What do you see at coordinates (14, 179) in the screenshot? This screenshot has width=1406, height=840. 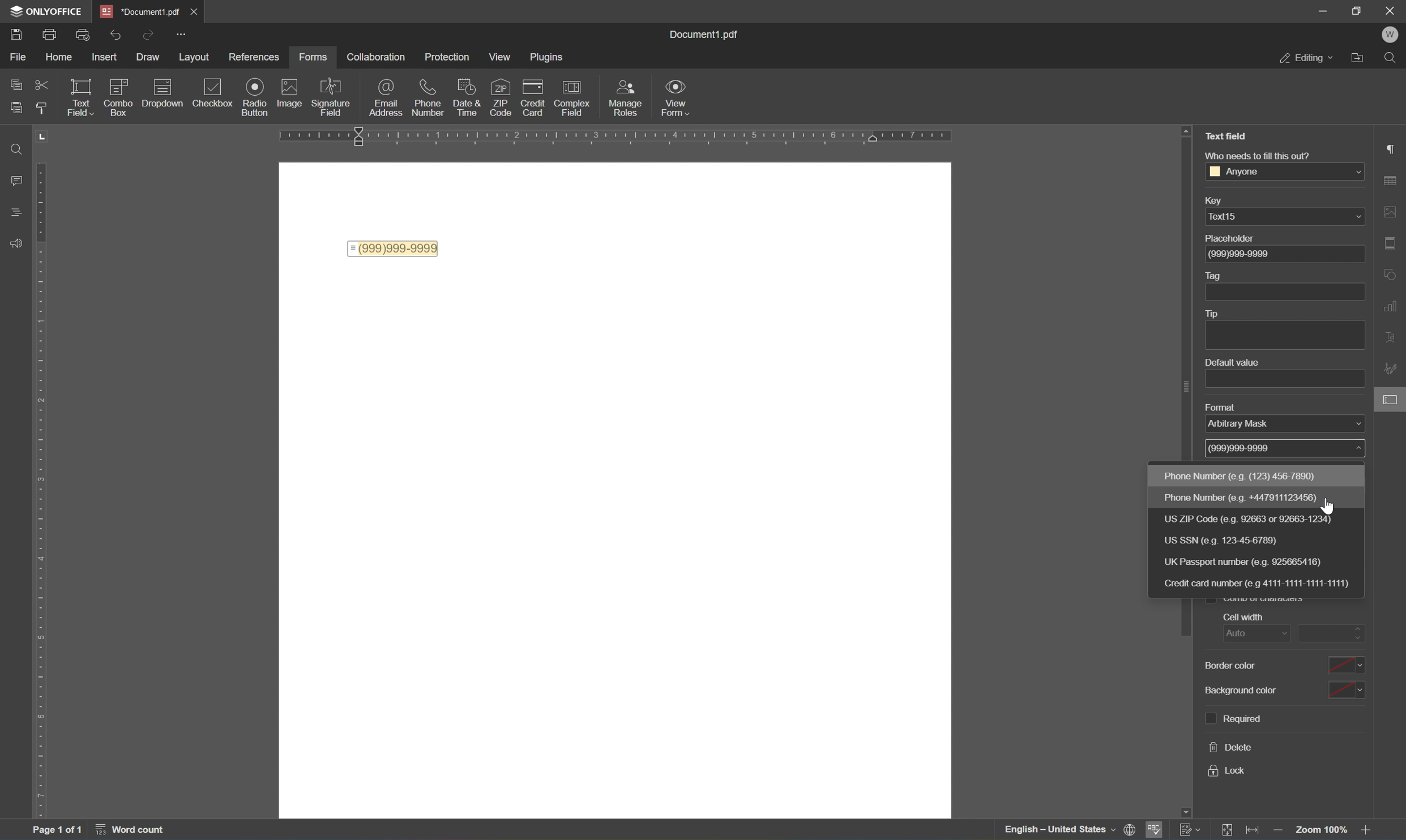 I see `comments` at bounding box center [14, 179].